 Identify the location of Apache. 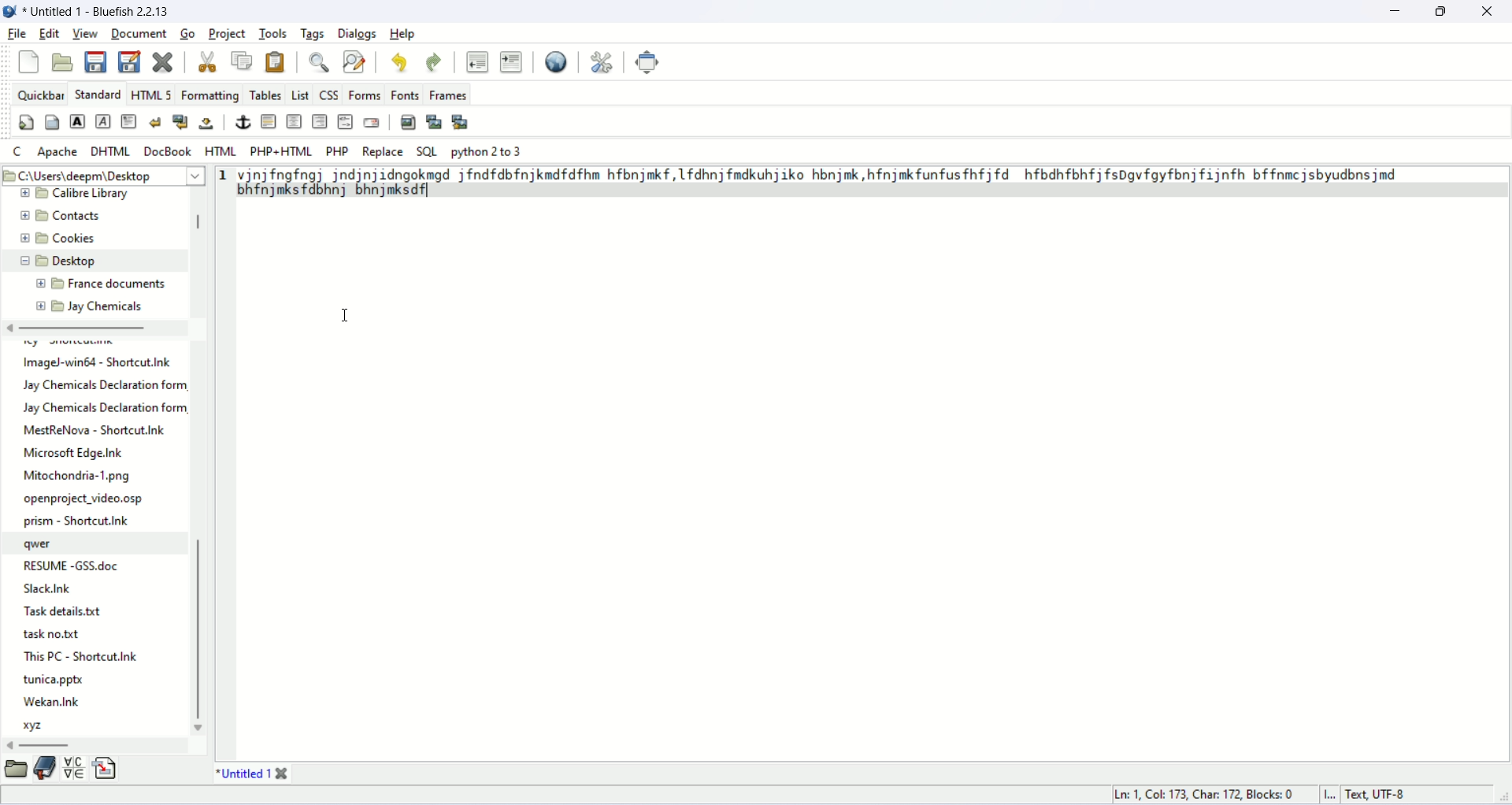
(58, 153).